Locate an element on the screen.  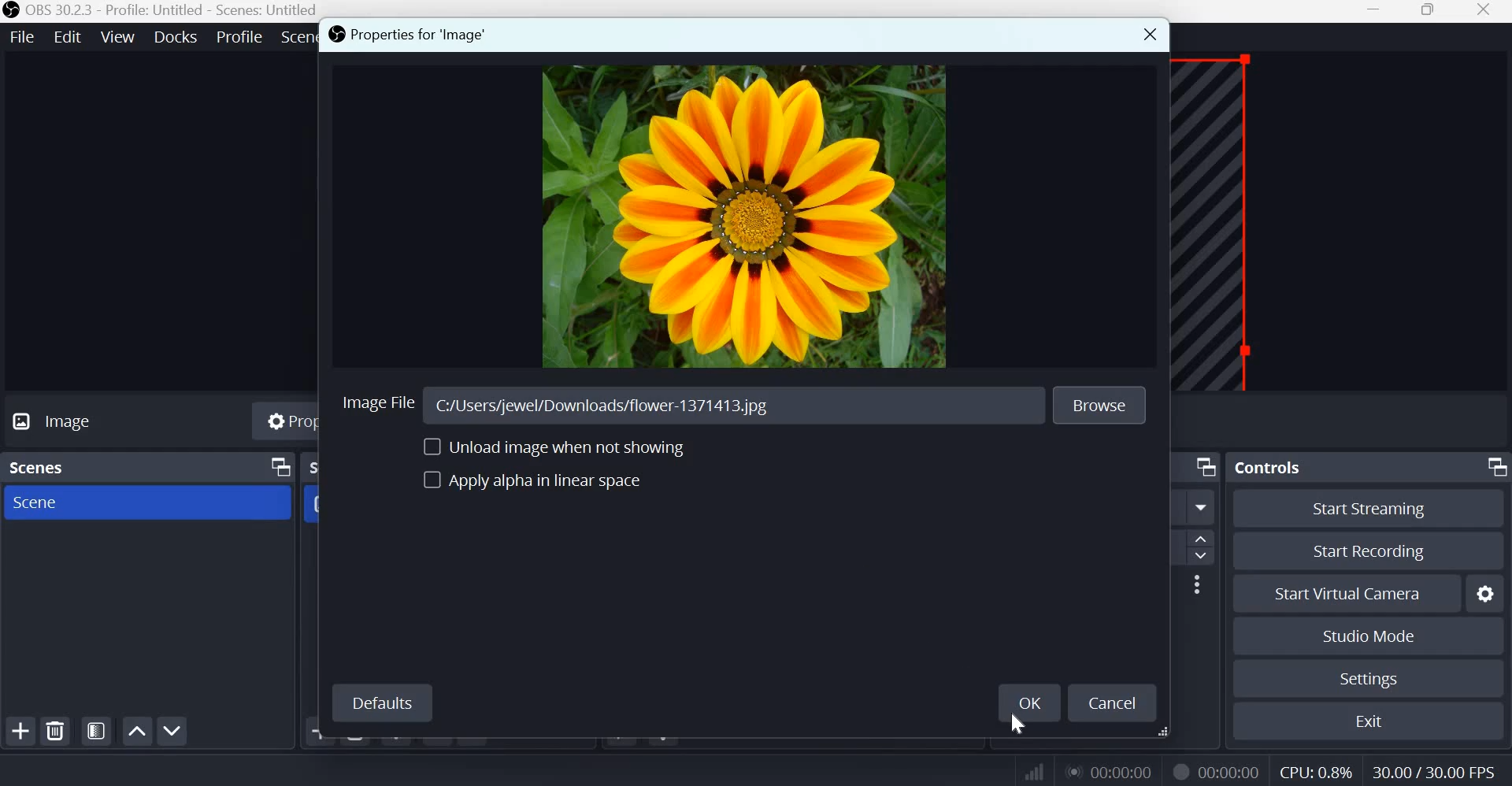
Configure virtual camera is located at coordinates (1486, 591).